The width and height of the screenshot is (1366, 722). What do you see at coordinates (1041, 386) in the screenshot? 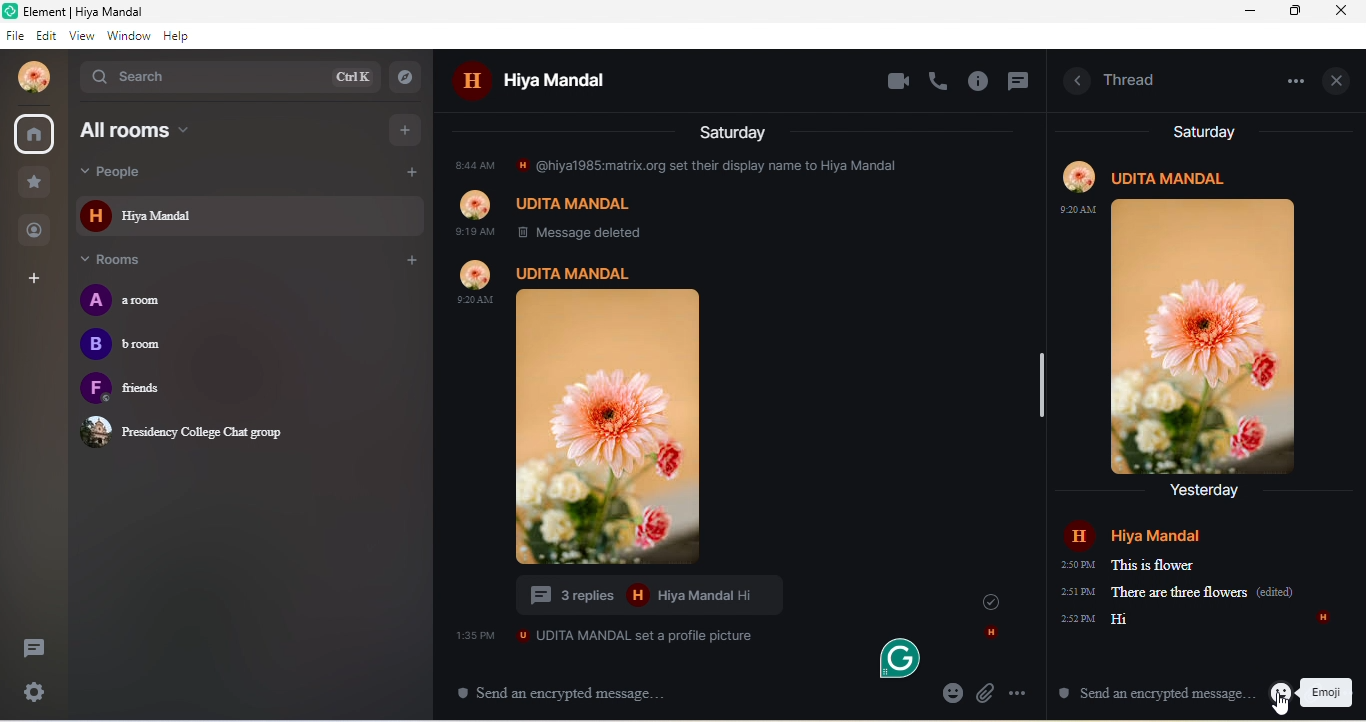
I see `vertical scrollbar` at bounding box center [1041, 386].